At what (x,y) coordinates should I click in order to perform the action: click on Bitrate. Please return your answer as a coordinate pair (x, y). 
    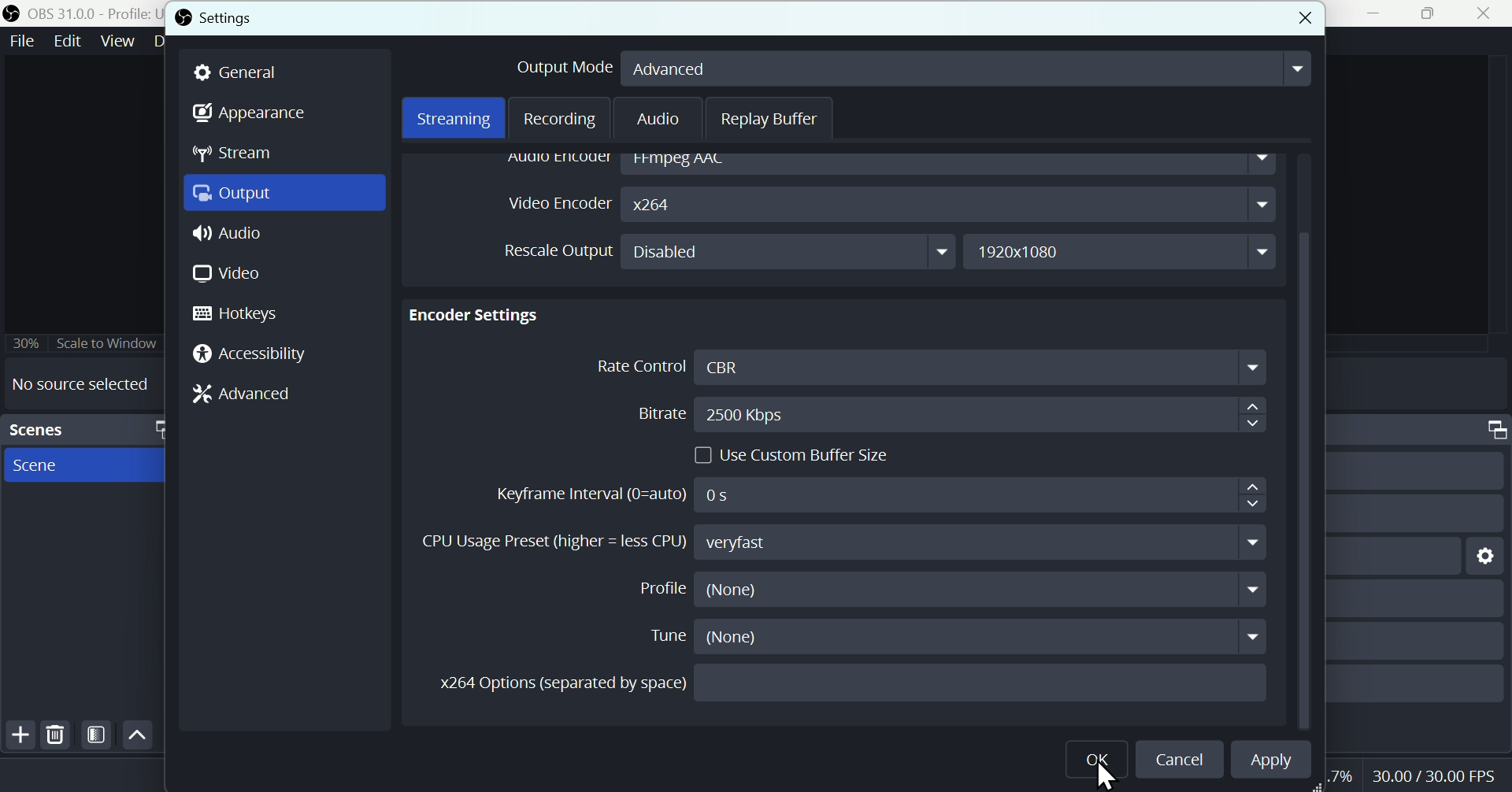
    Looking at the image, I should click on (947, 414).